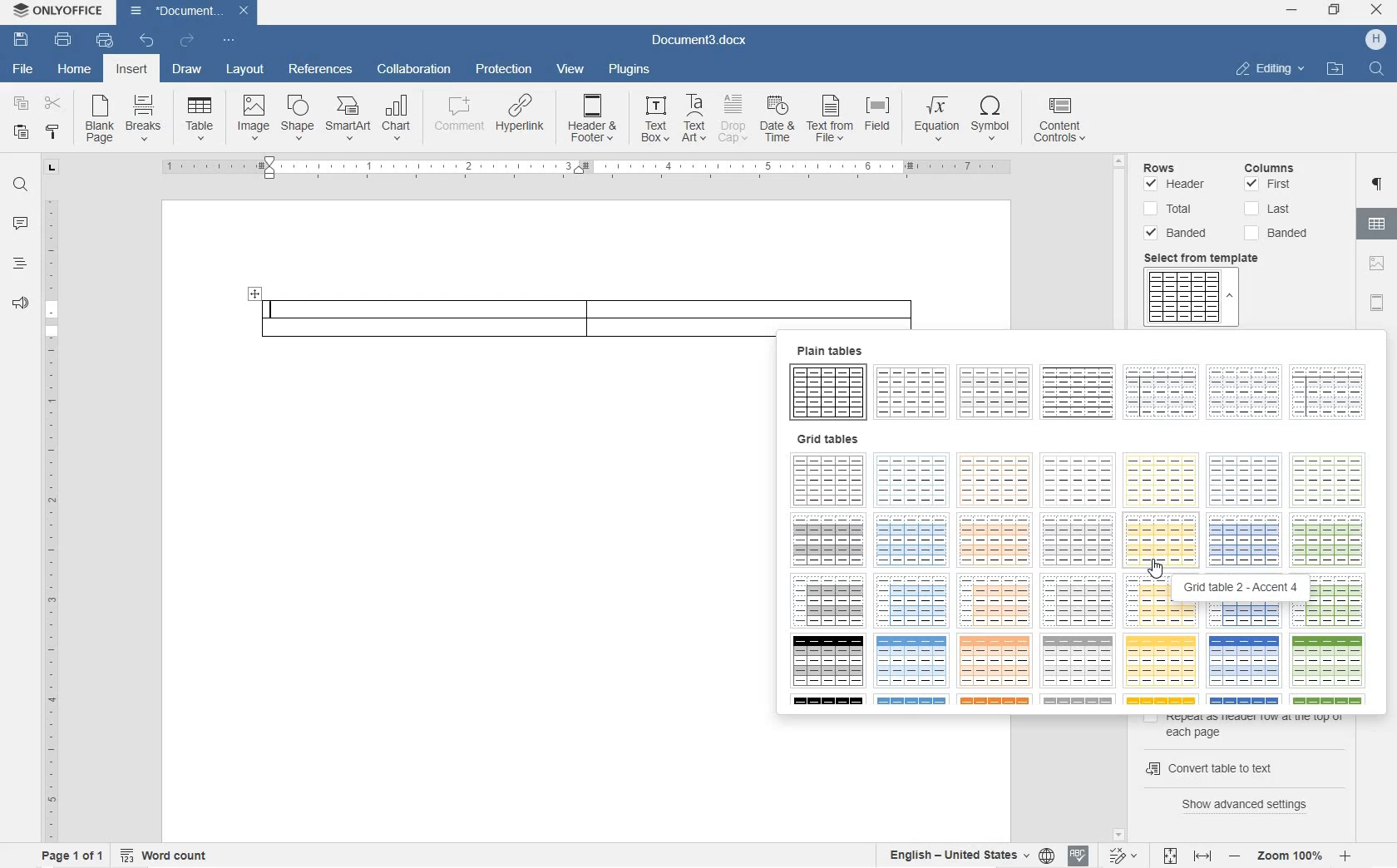 The width and height of the screenshot is (1397, 868). I want to click on ZOOM IN OR OUT, so click(1291, 855).